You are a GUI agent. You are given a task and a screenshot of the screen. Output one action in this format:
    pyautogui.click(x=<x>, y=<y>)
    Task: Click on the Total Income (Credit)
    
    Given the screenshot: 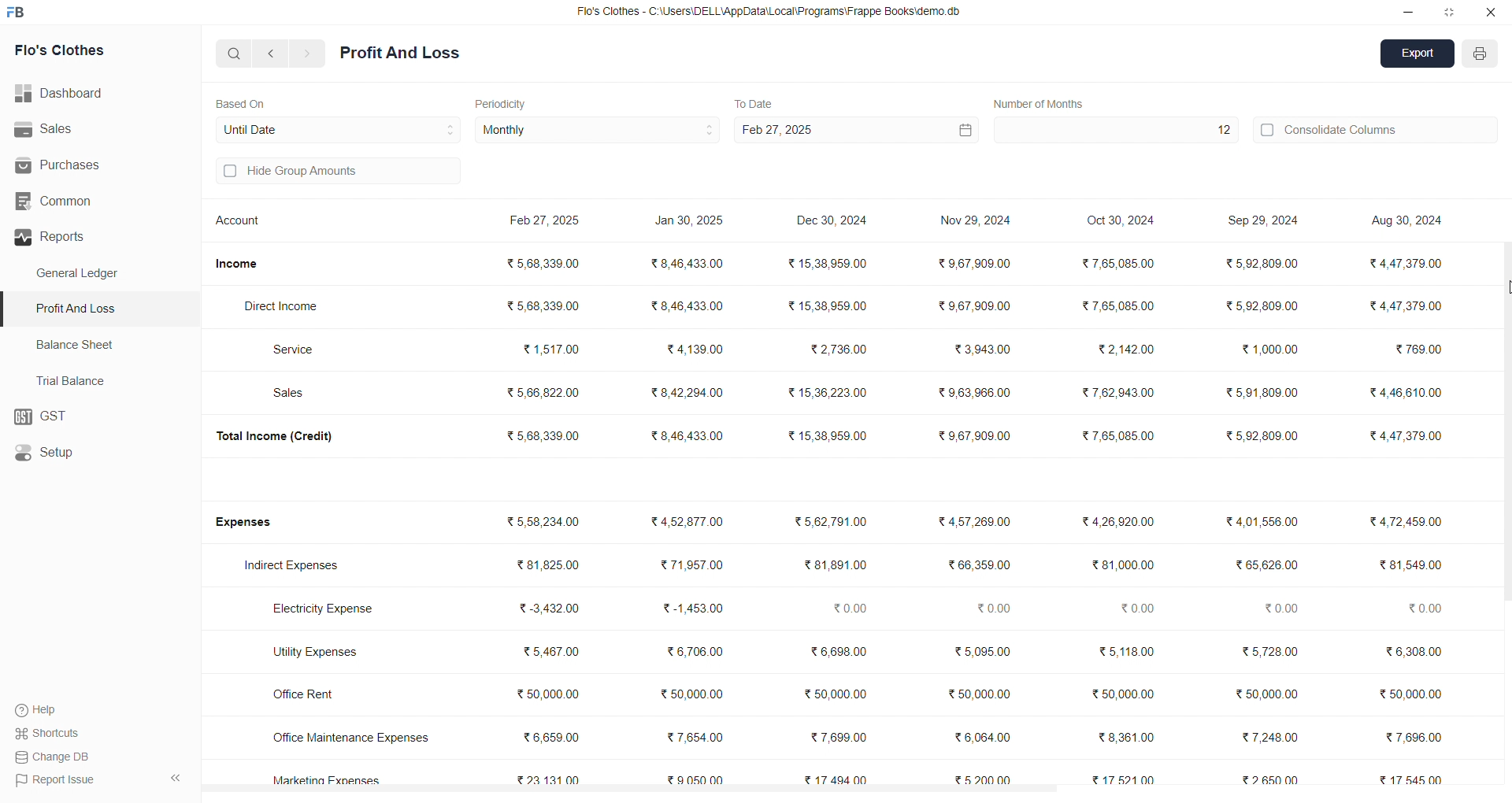 What is the action you would take?
    pyautogui.click(x=287, y=435)
    